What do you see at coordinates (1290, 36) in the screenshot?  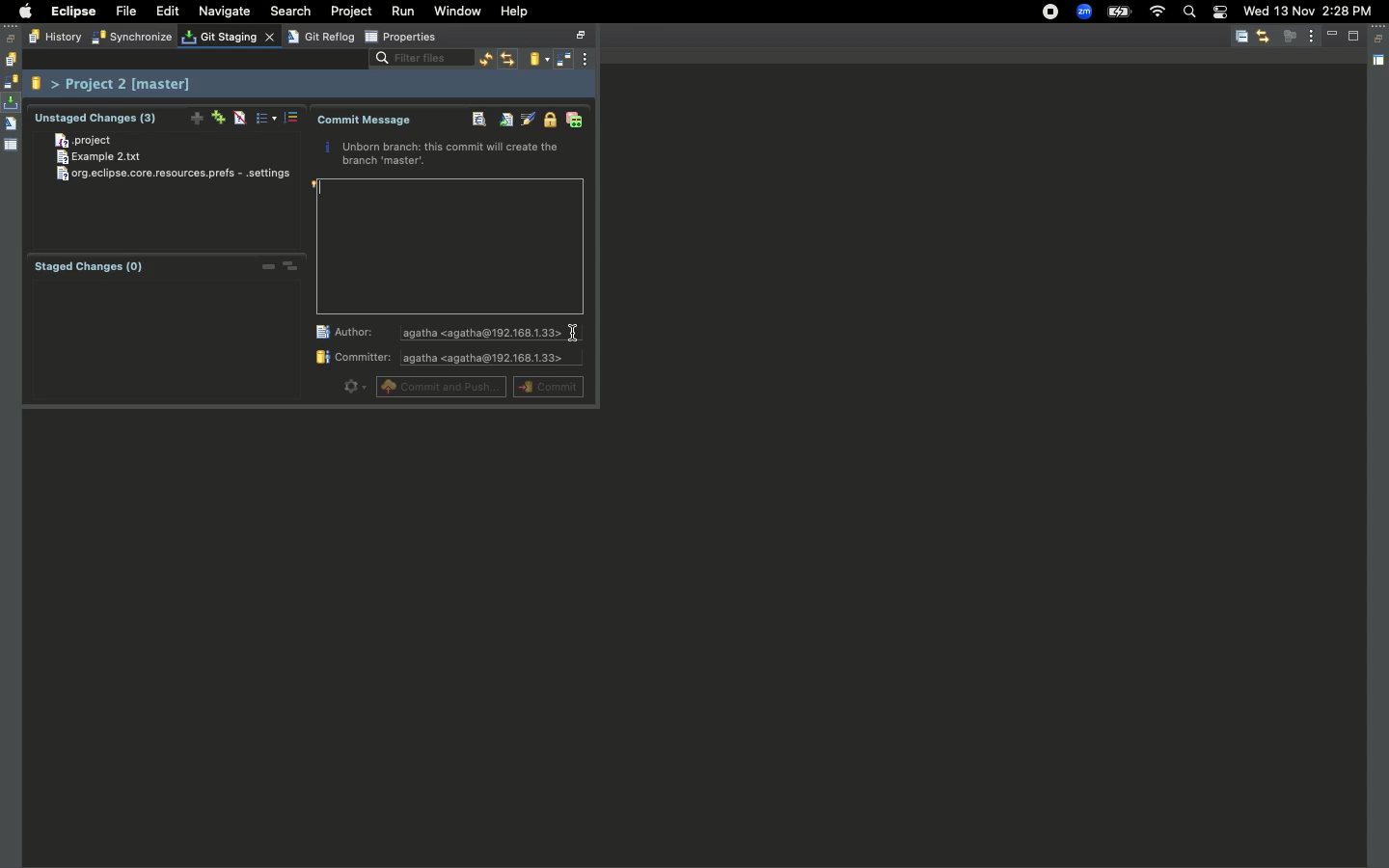 I see `Focus on active task` at bounding box center [1290, 36].